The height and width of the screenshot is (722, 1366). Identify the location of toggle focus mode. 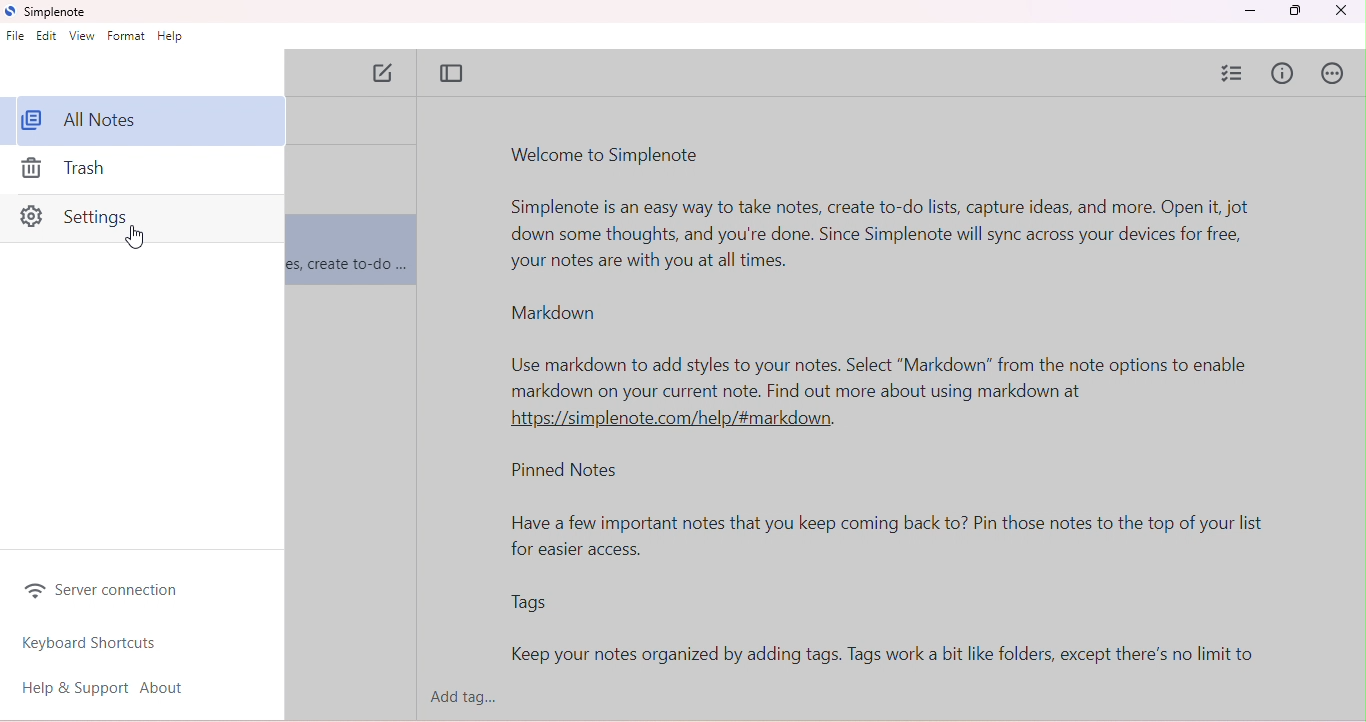
(452, 73).